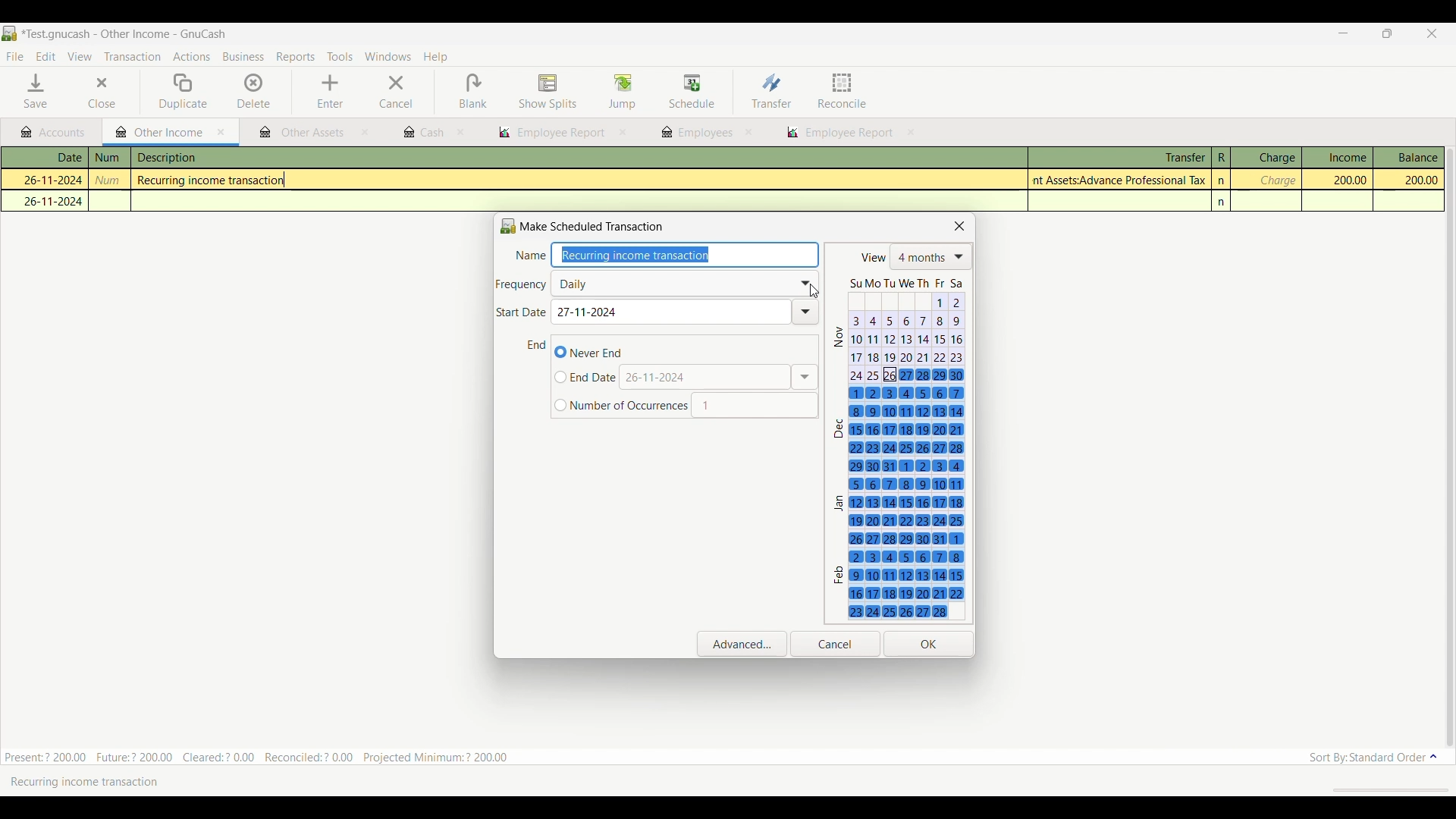 The width and height of the screenshot is (1456, 819). What do you see at coordinates (243, 58) in the screenshot?
I see `Business menu` at bounding box center [243, 58].